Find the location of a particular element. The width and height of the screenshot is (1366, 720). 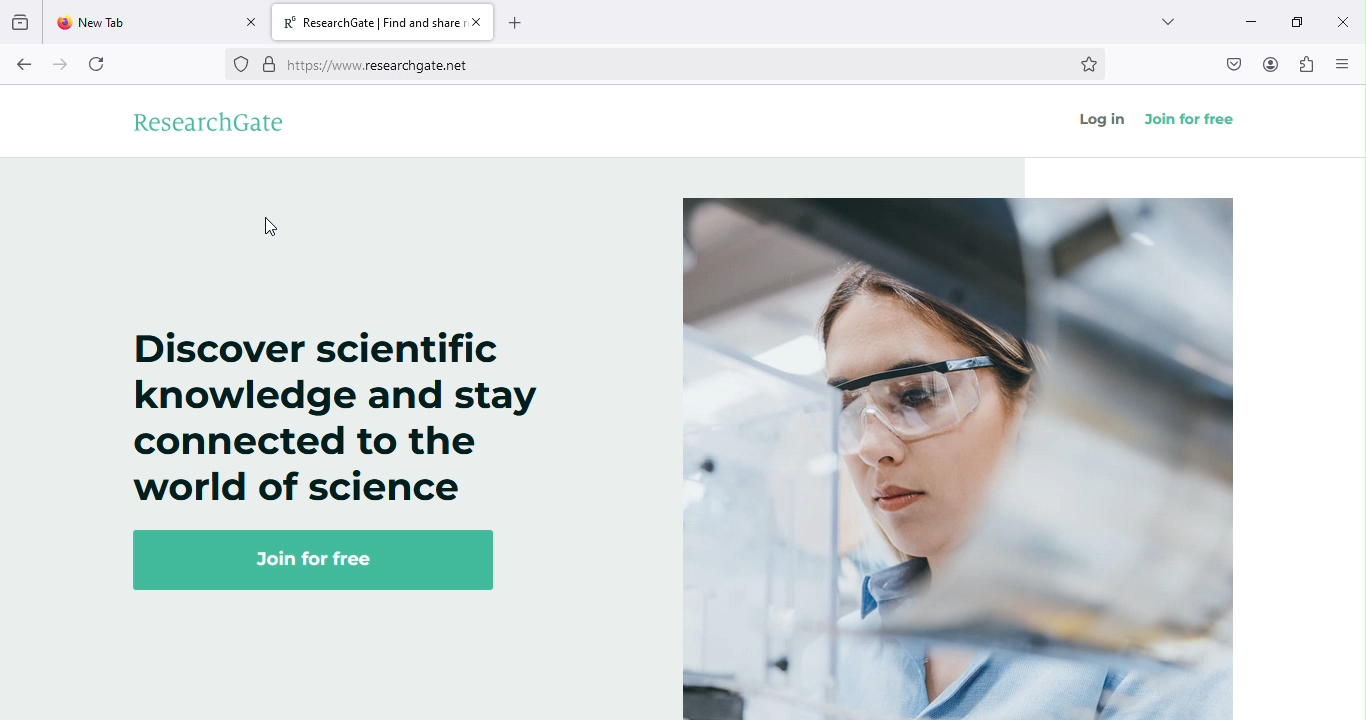

researchgate is located at coordinates (216, 122).